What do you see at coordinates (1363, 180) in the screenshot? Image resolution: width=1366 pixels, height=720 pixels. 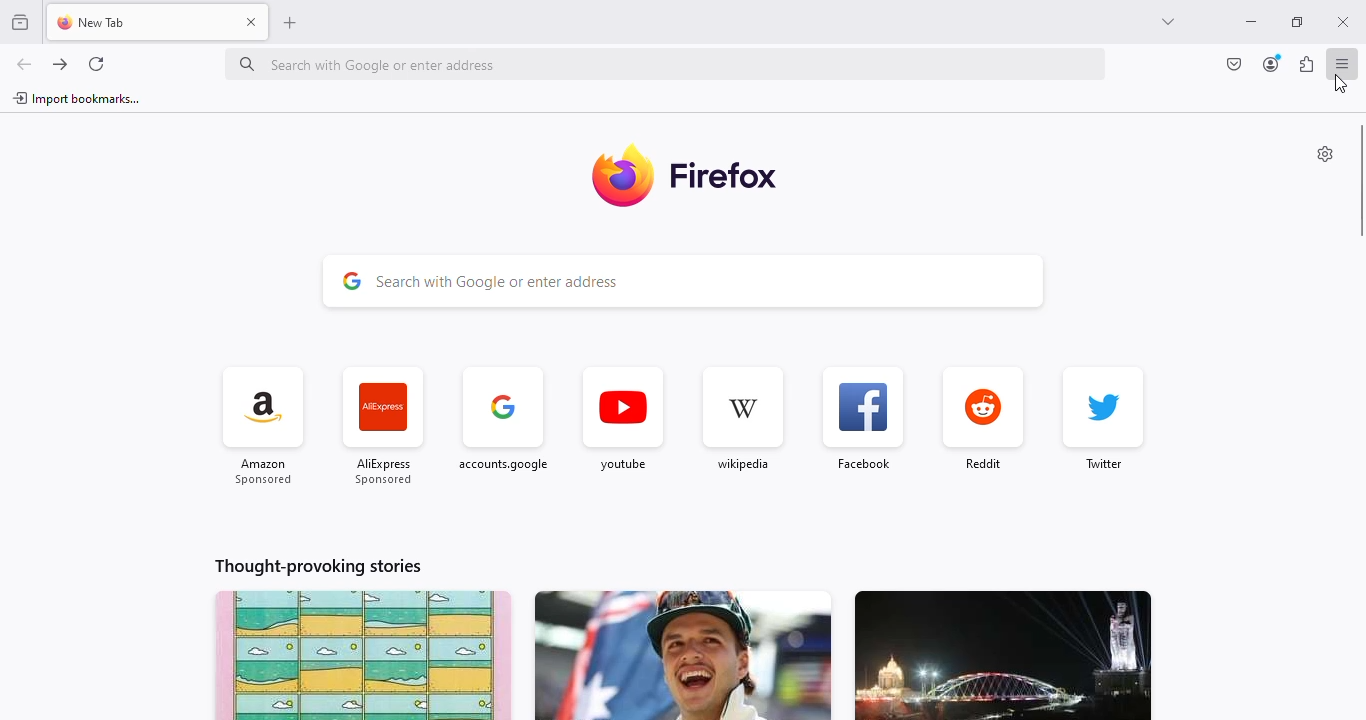 I see `vertical scroll bar` at bounding box center [1363, 180].